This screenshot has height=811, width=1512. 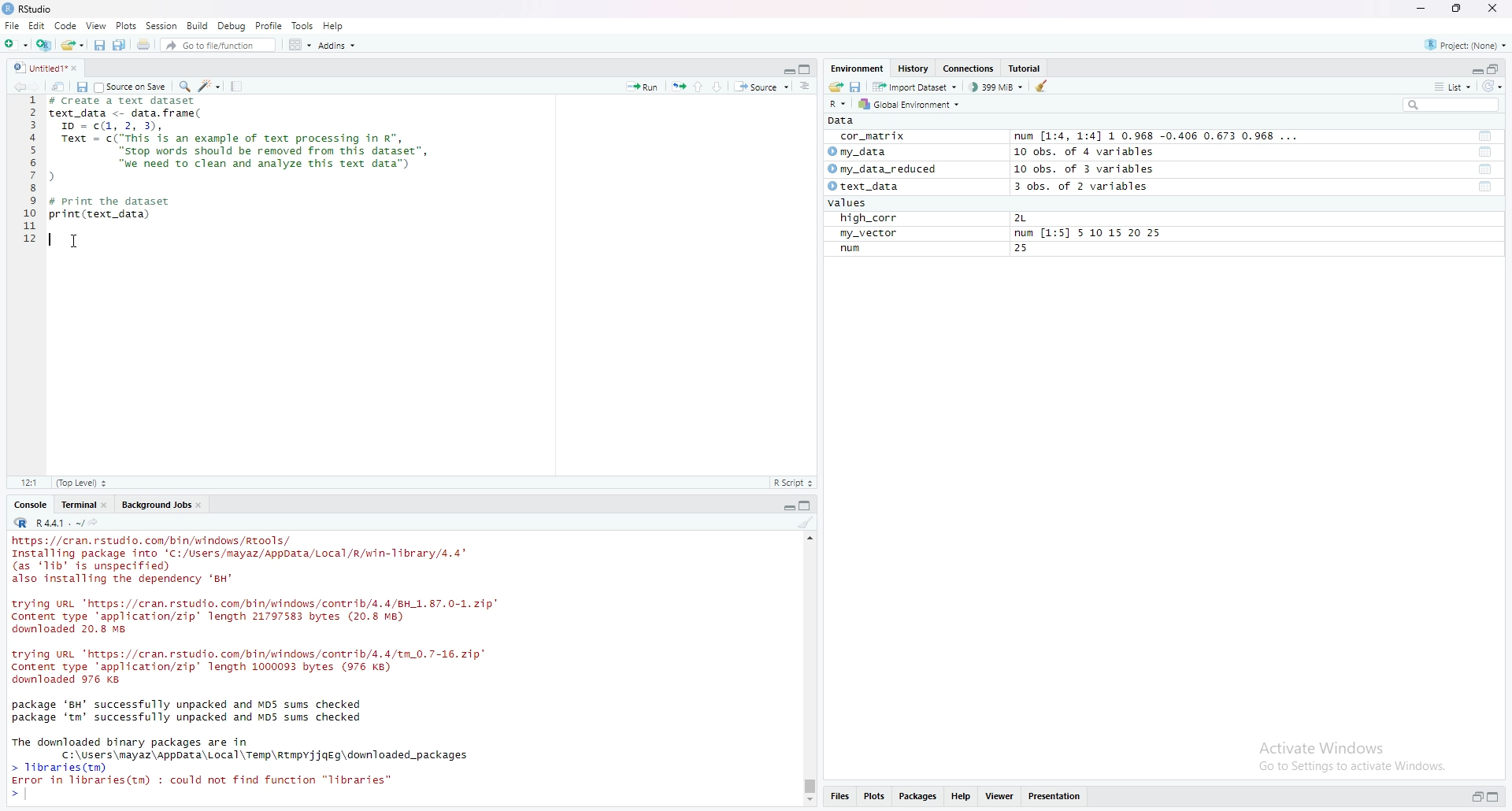 What do you see at coordinates (220, 46) in the screenshot?
I see `go to file/function` at bounding box center [220, 46].